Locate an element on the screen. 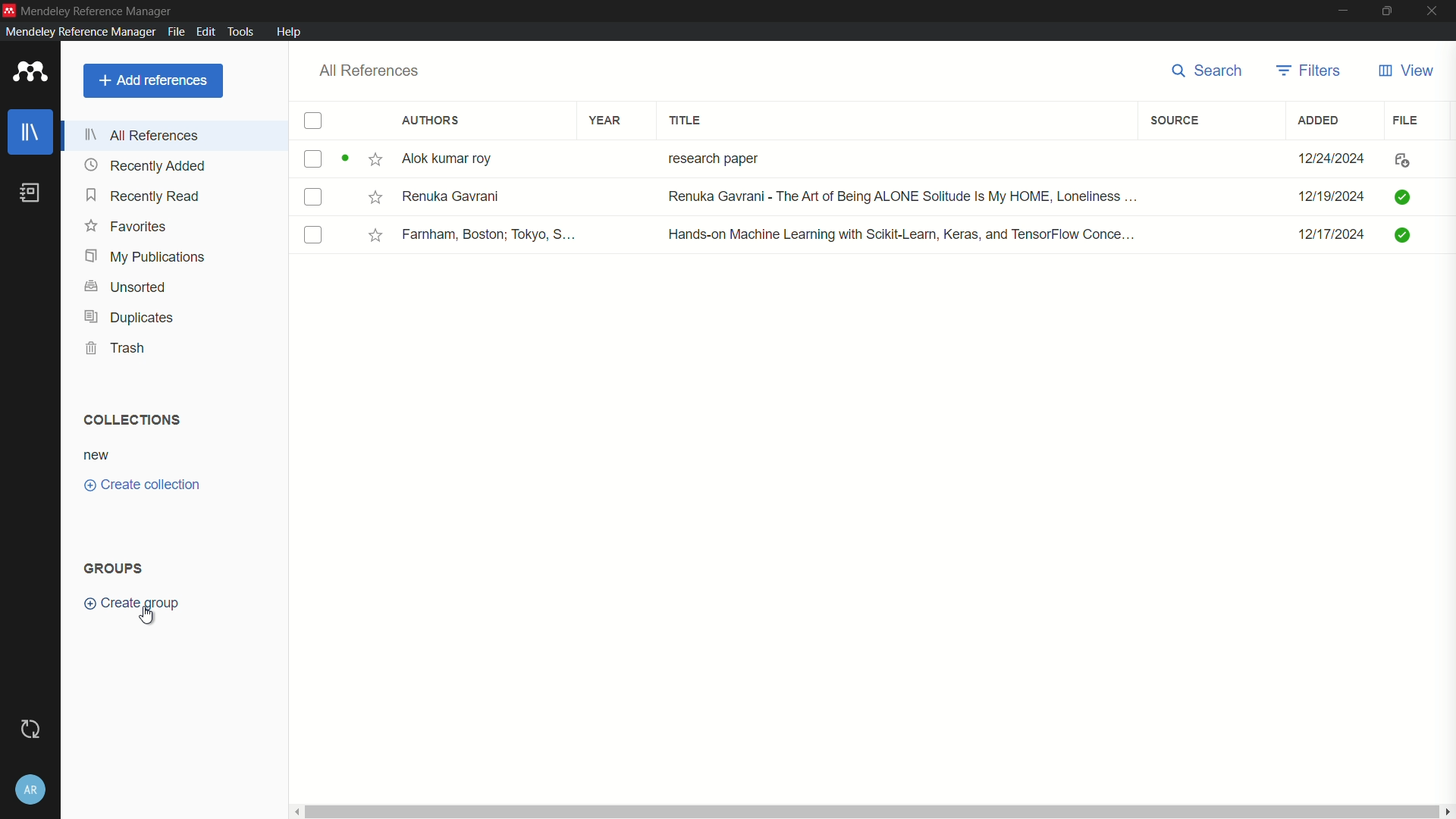 The height and width of the screenshot is (819, 1456). book is located at coordinates (30, 193).